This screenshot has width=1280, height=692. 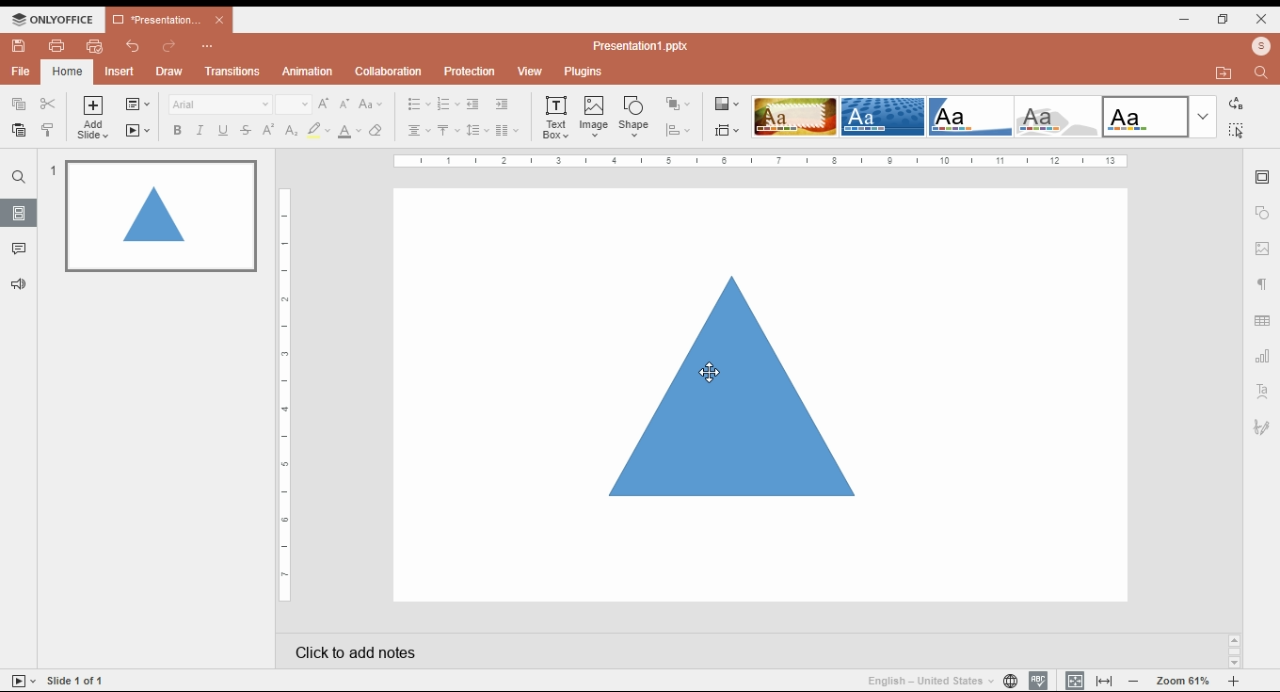 What do you see at coordinates (472, 71) in the screenshot?
I see `protection` at bounding box center [472, 71].